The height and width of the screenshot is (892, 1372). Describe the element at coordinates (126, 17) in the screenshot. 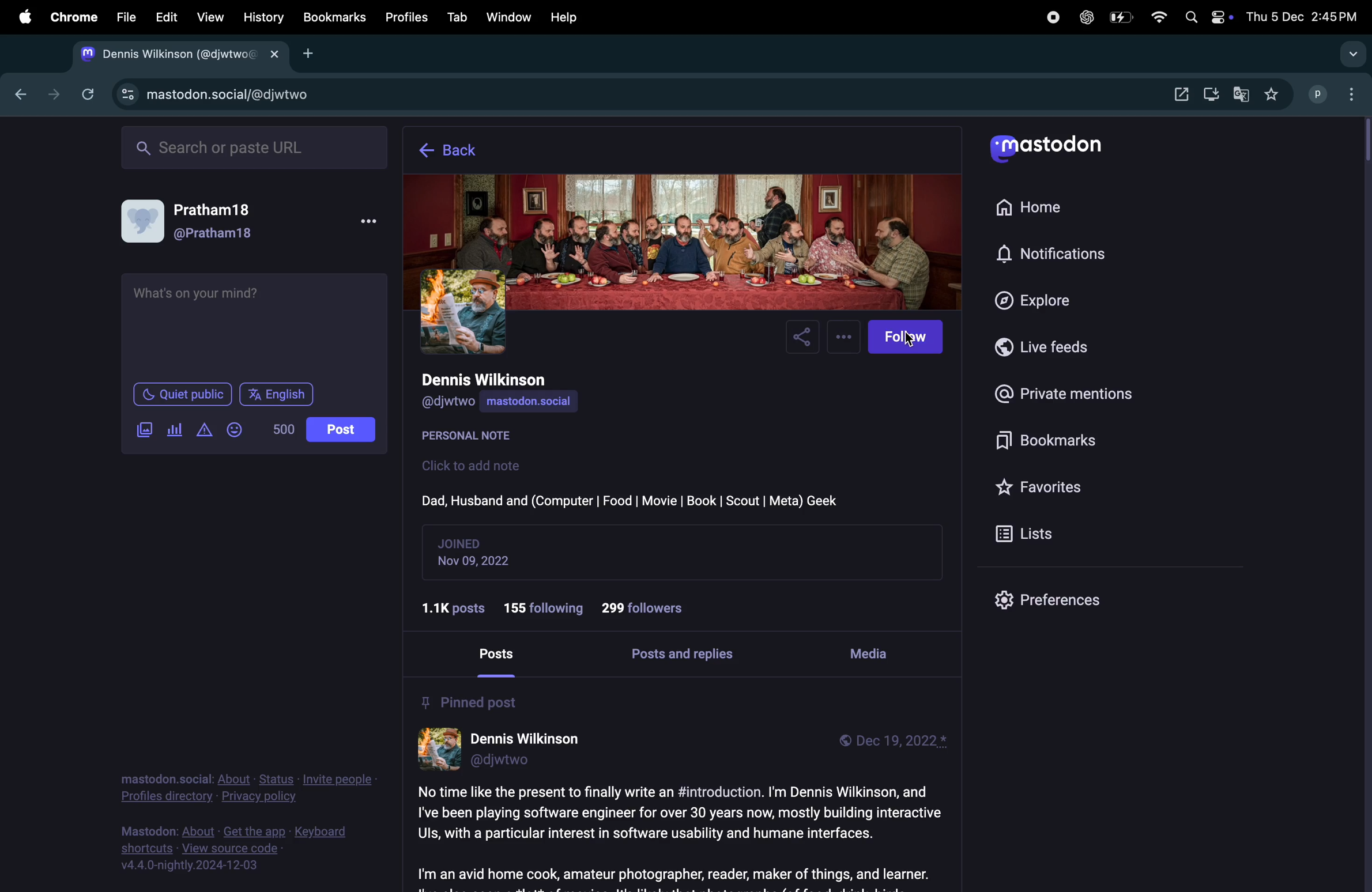

I see `file` at that location.